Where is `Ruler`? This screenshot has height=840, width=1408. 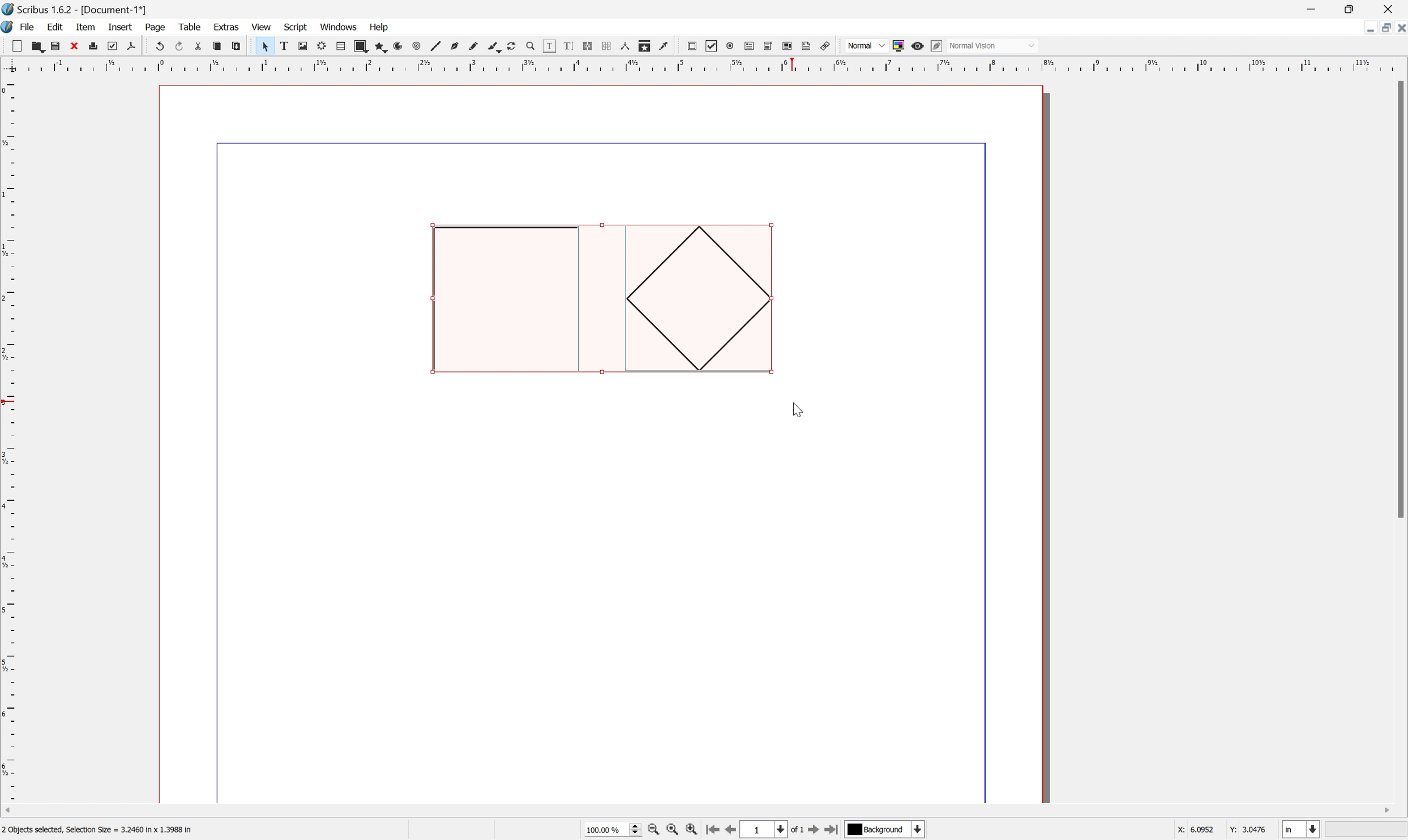 Ruler is located at coordinates (9, 437).